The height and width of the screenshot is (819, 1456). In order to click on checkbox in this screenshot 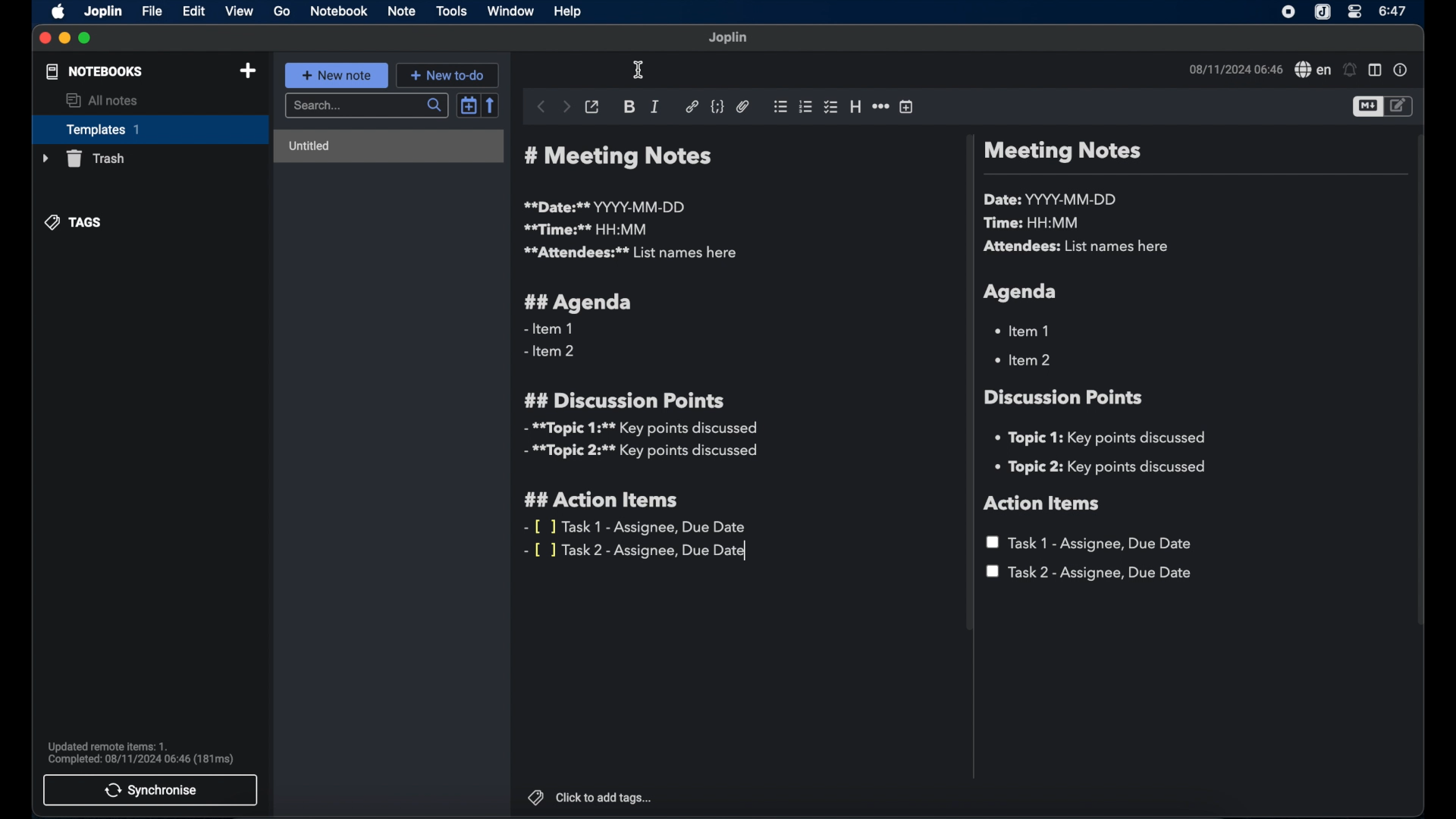, I will do `click(830, 107)`.